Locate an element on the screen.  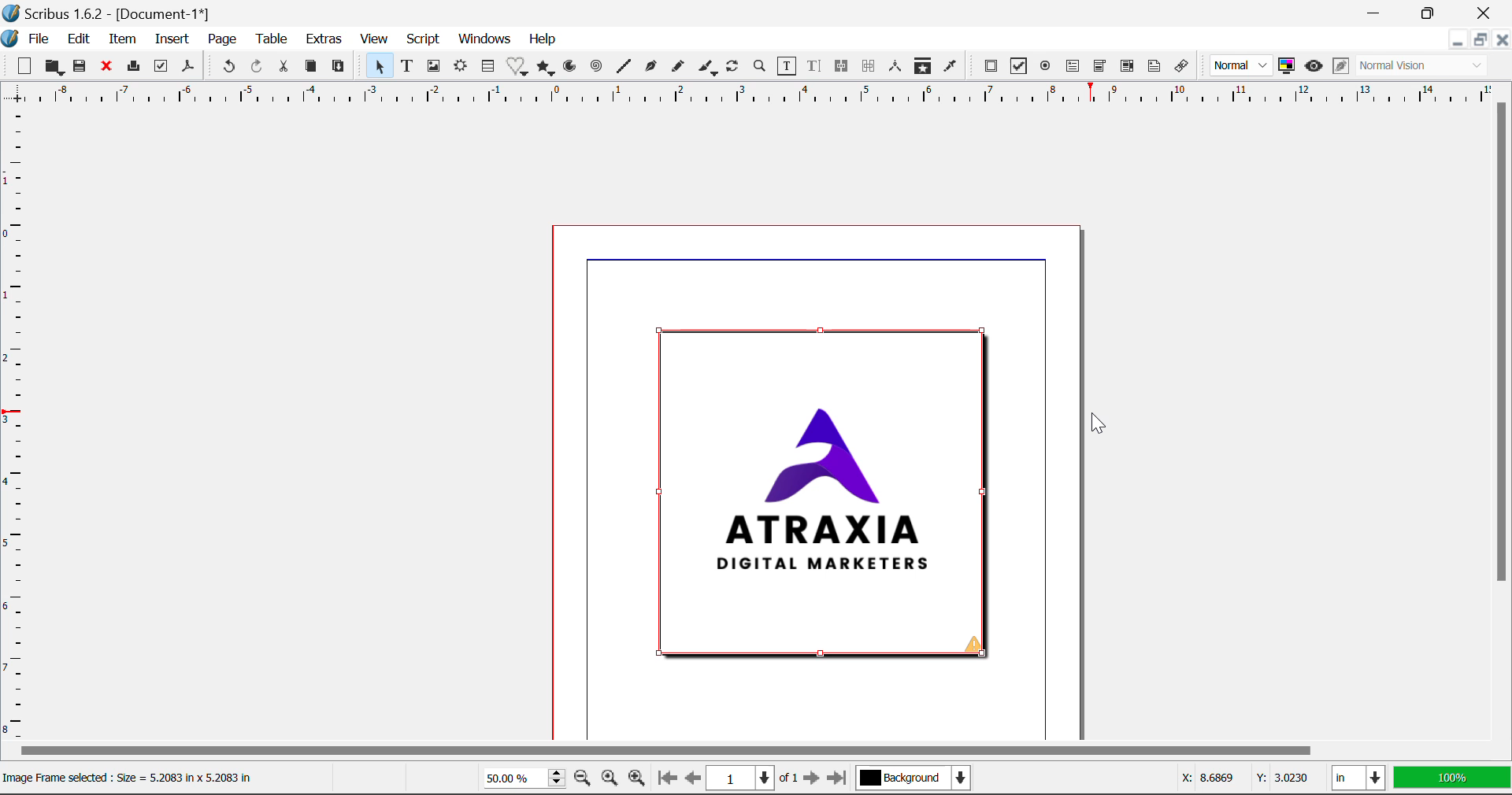
File is located at coordinates (39, 39).